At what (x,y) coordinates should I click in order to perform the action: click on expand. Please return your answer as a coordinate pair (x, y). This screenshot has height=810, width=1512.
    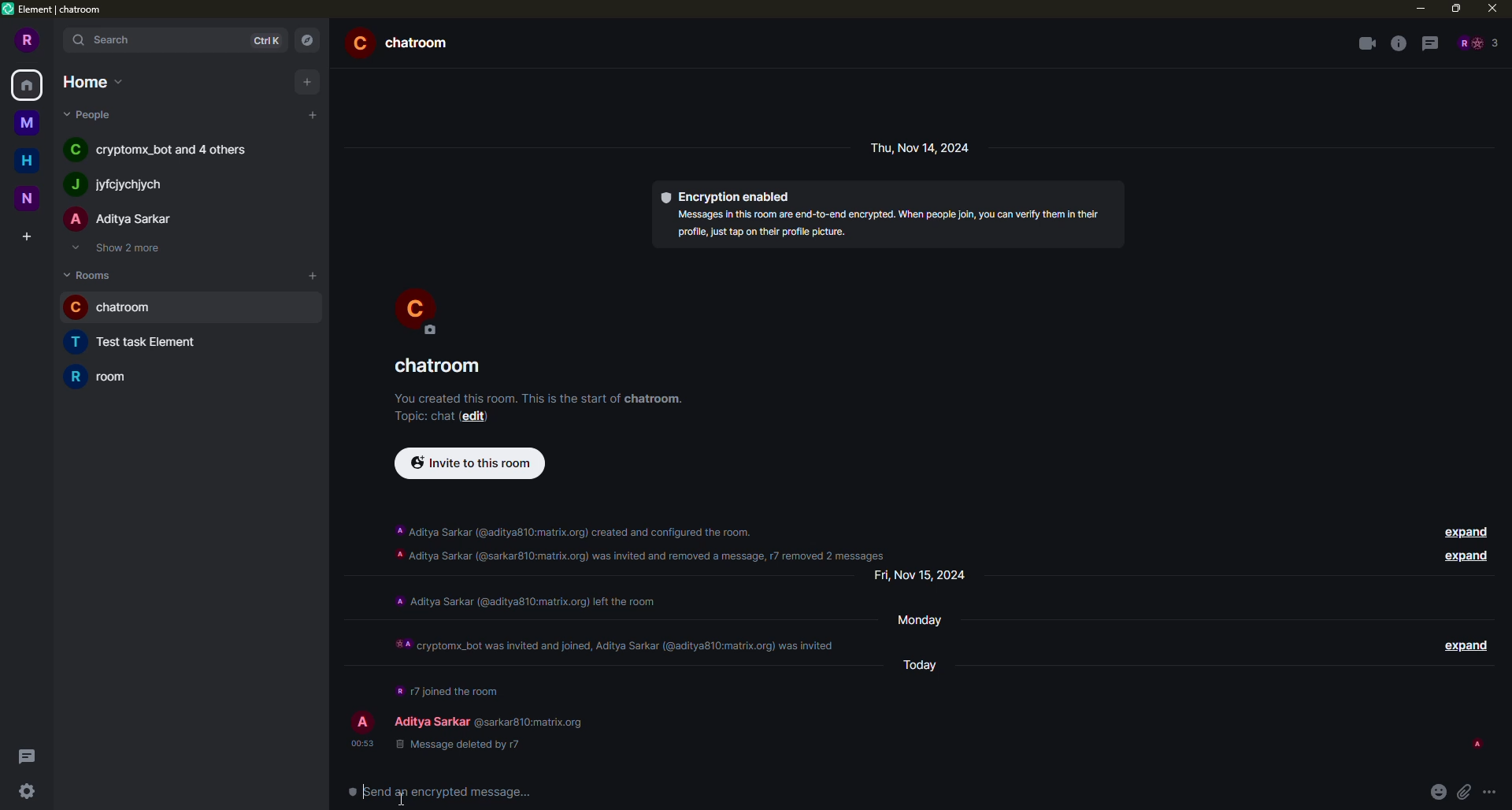
    Looking at the image, I should click on (1463, 530).